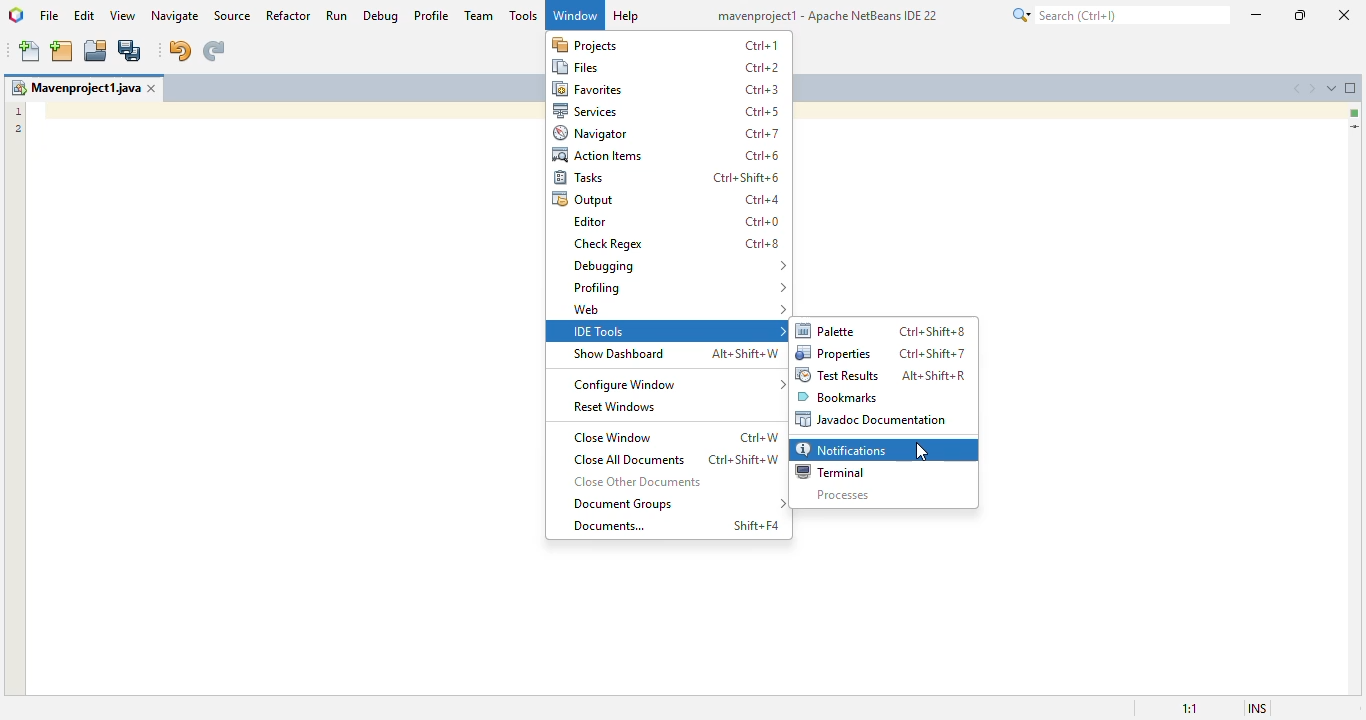 Image resolution: width=1366 pixels, height=720 pixels. Describe the element at coordinates (763, 223) in the screenshot. I see `shortcut for editor` at that location.